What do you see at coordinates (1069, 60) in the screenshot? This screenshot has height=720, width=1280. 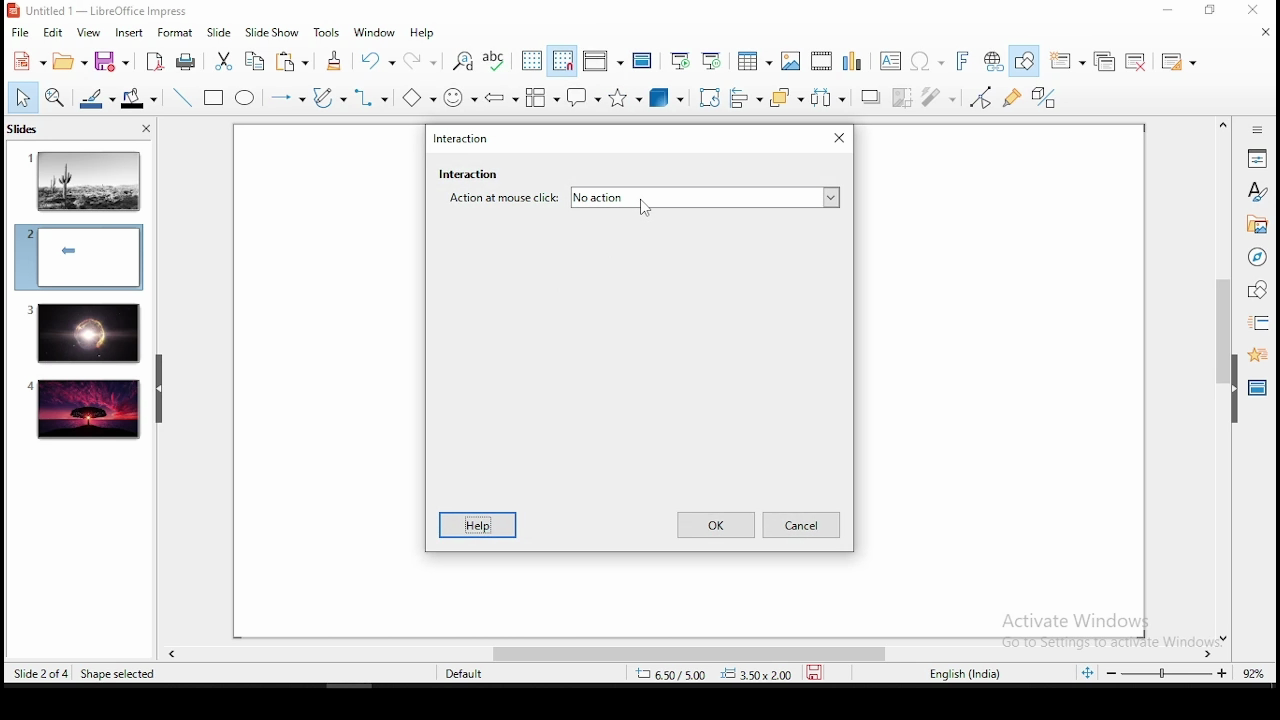 I see `new slide` at bounding box center [1069, 60].